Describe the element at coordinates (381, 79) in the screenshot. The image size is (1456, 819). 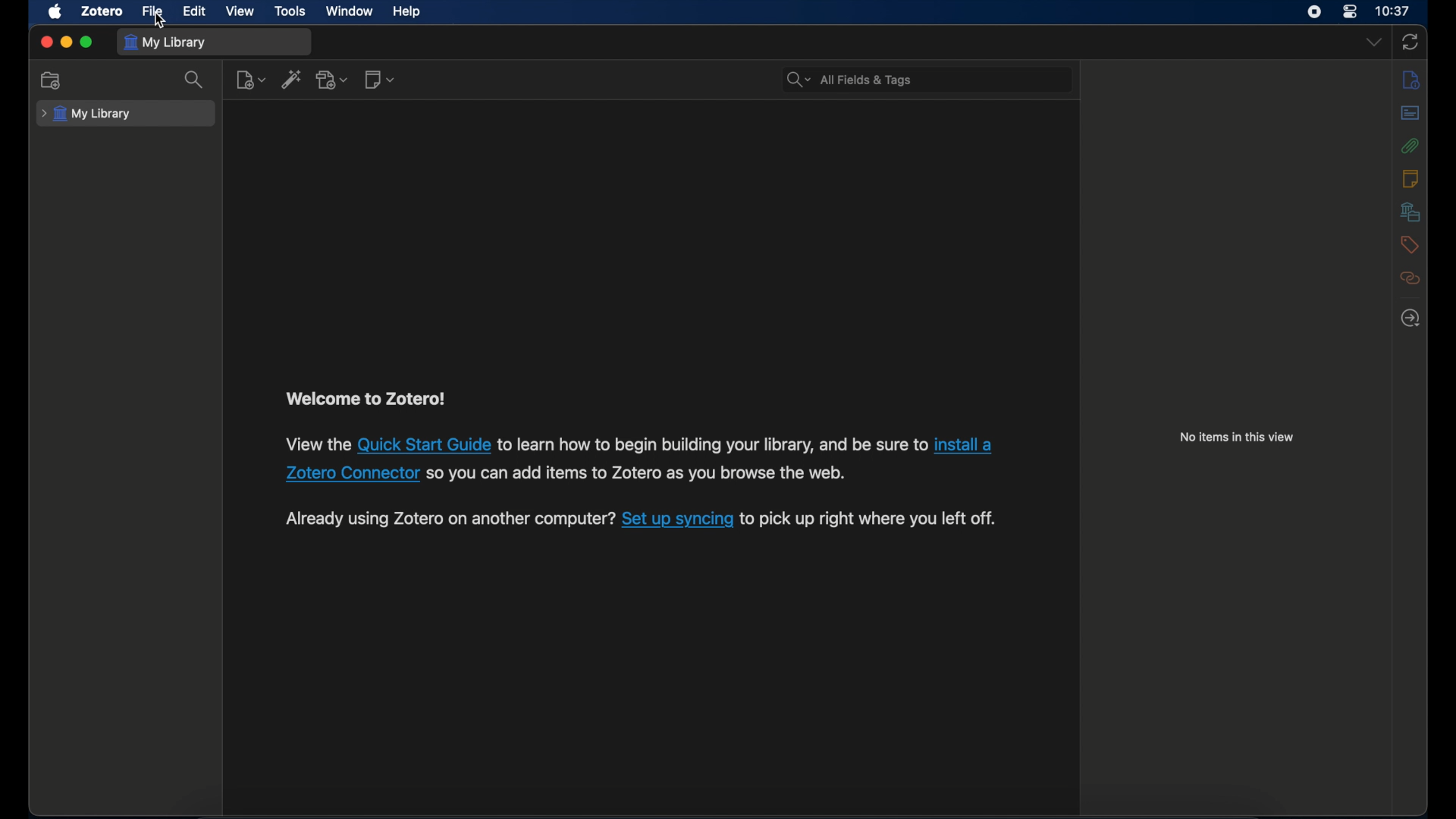
I see `new note` at that location.